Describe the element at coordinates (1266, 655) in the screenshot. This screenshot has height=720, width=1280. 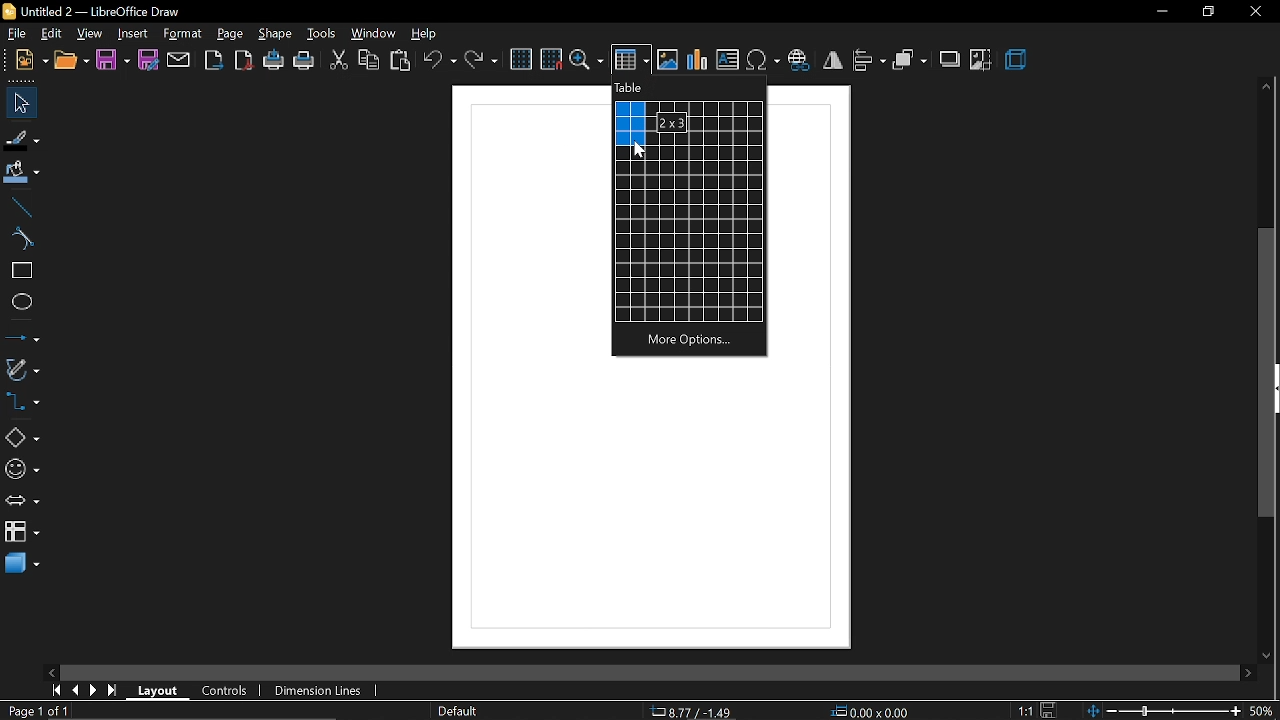
I see `move down` at that location.